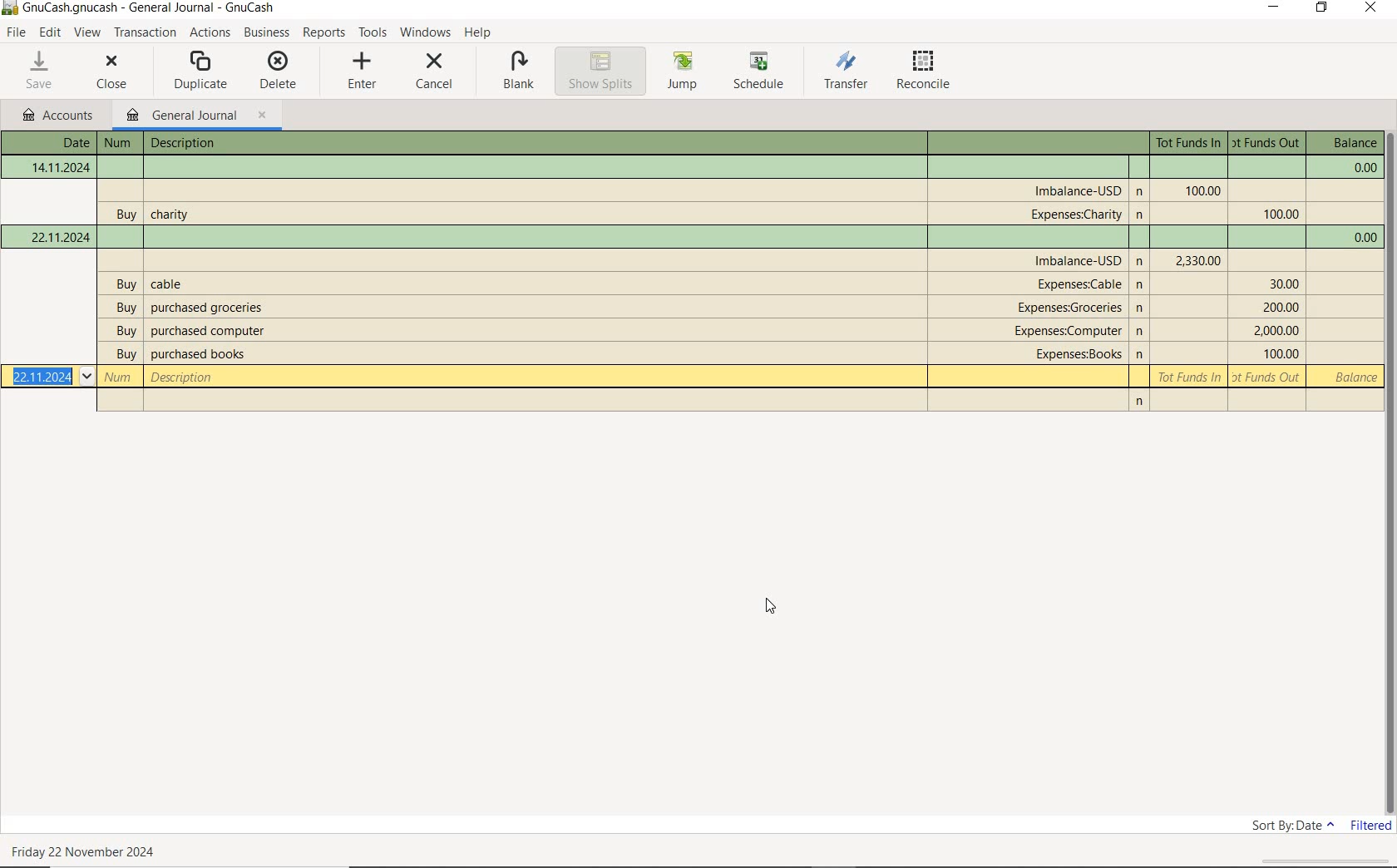  Describe the element at coordinates (147, 33) in the screenshot. I see `transactions` at that location.